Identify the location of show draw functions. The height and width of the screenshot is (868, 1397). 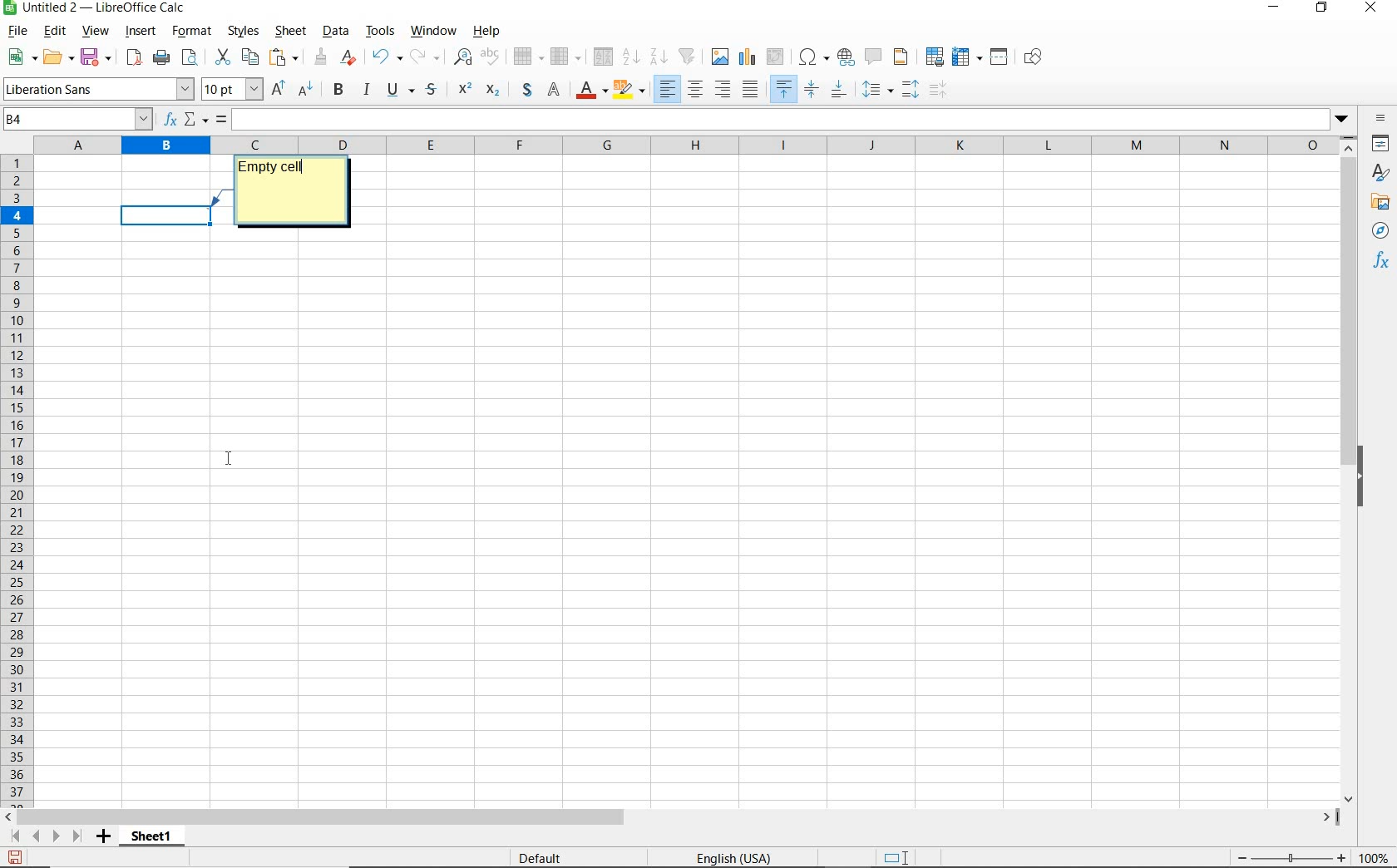
(1036, 58).